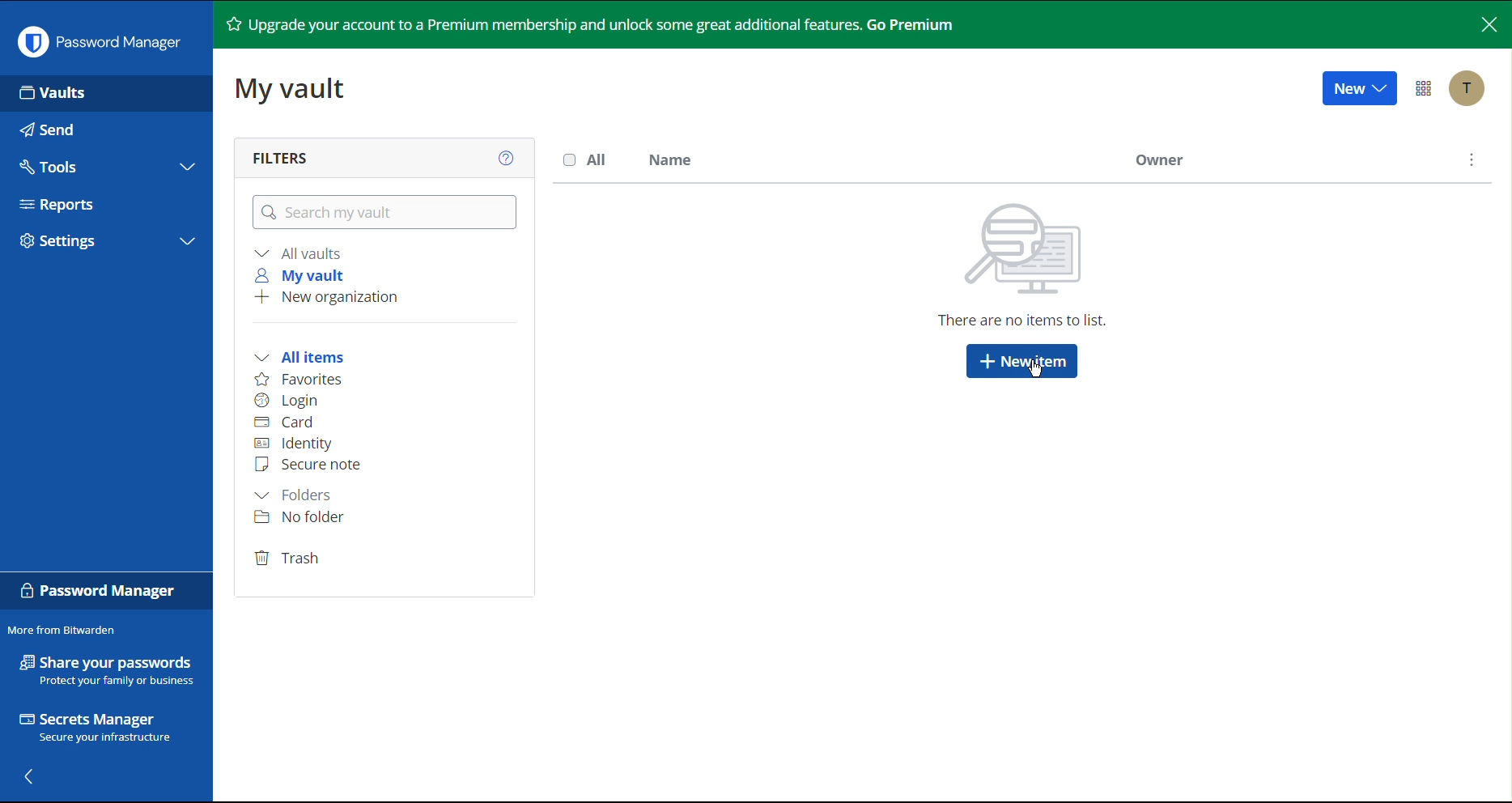 The height and width of the screenshot is (803, 1512). What do you see at coordinates (308, 462) in the screenshot?
I see `Secure note` at bounding box center [308, 462].